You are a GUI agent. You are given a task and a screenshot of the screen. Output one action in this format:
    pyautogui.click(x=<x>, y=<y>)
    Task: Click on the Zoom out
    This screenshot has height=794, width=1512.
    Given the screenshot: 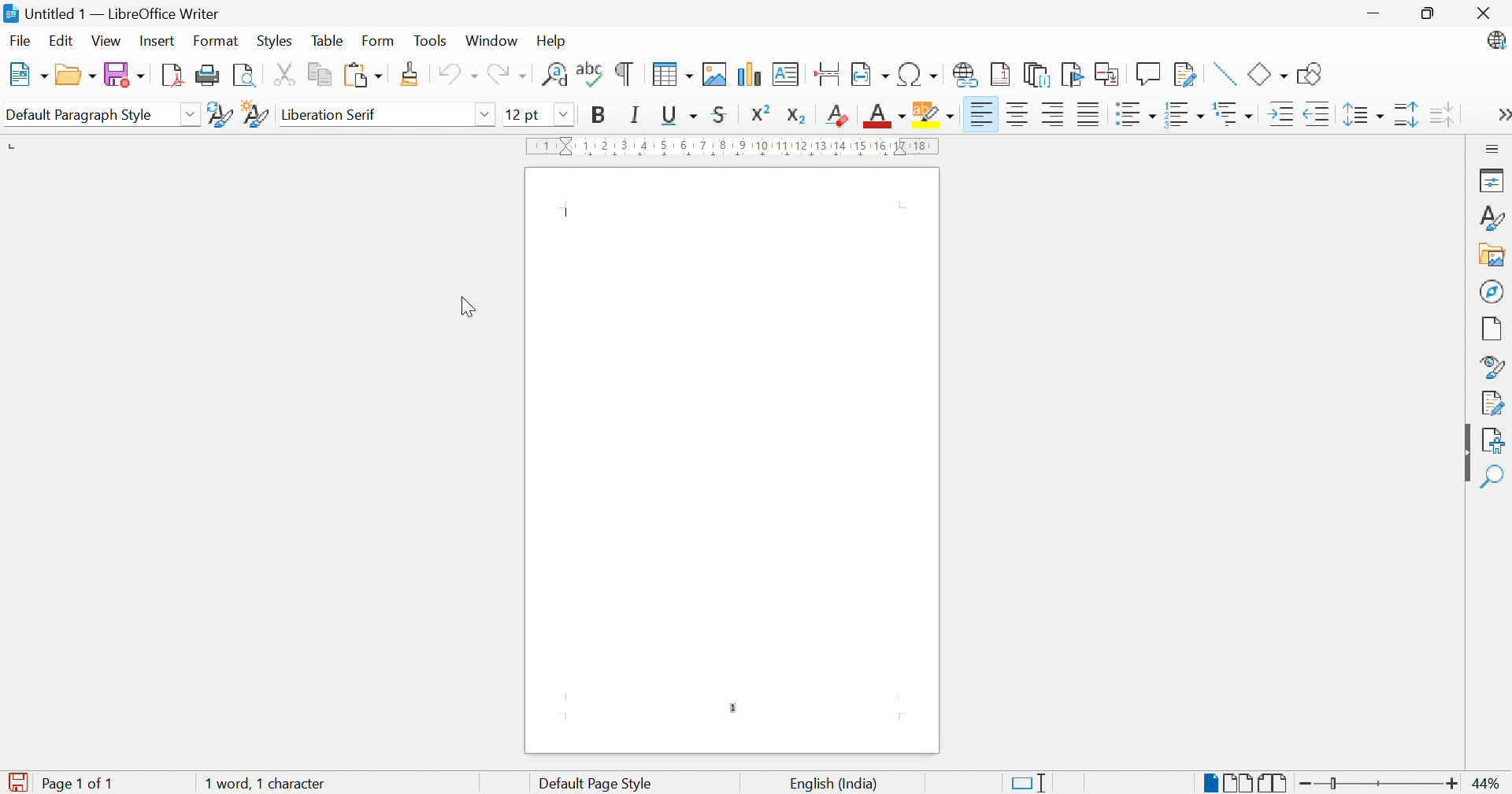 What is the action you would take?
    pyautogui.click(x=1308, y=785)
    